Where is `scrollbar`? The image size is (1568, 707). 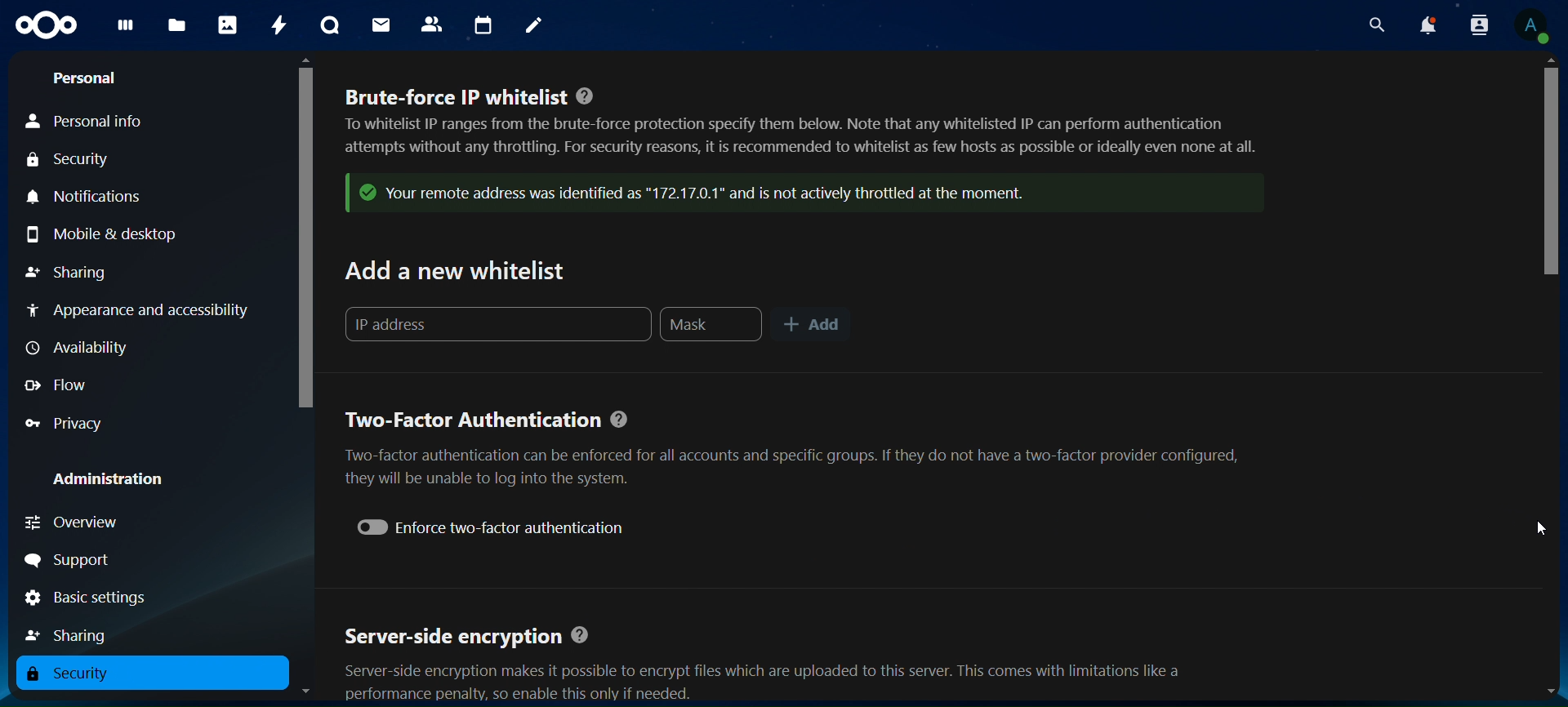 scrollbar is located at coordinates (303, 233).